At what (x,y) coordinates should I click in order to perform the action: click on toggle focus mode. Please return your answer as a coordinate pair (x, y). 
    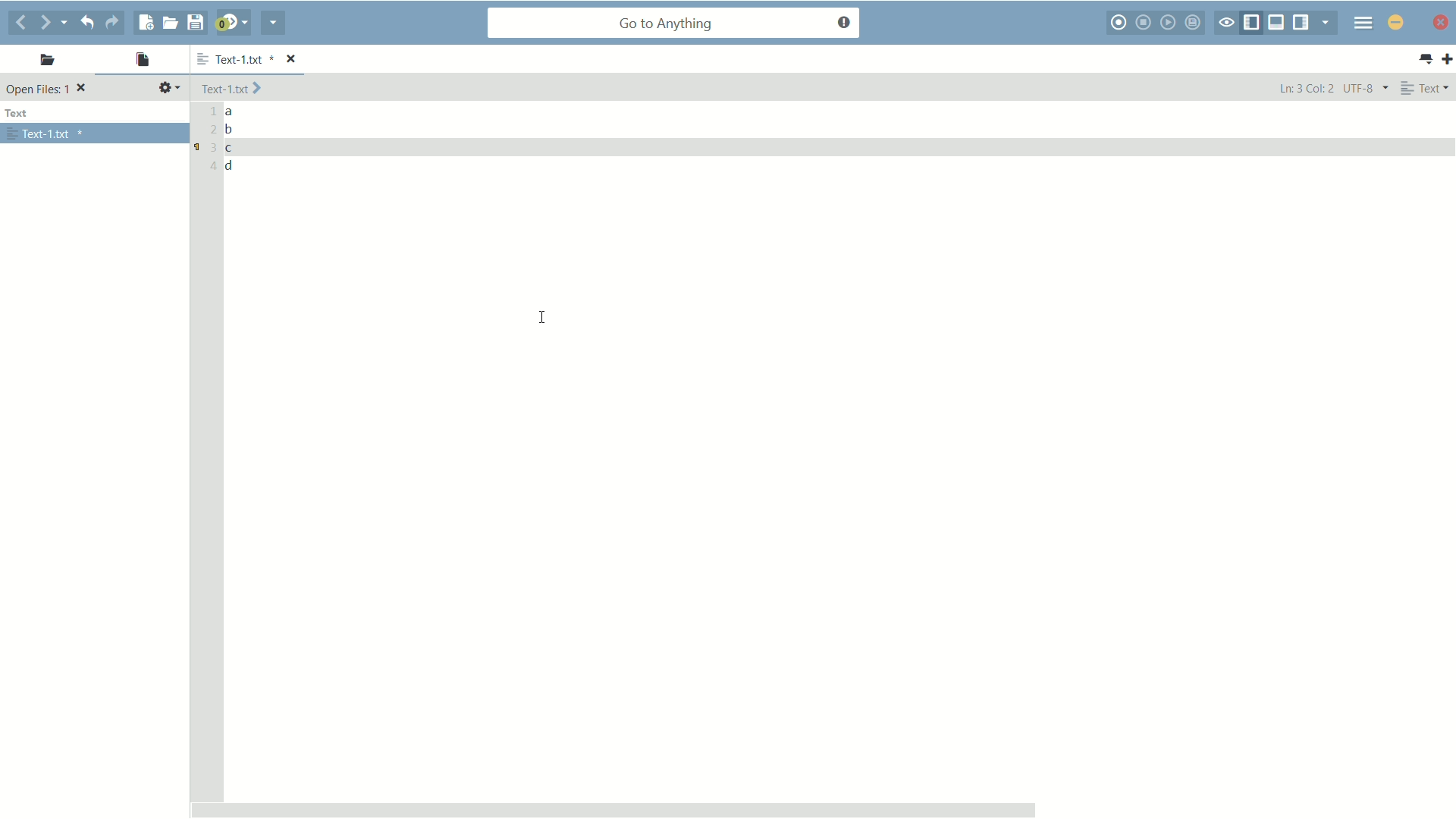
    Looking at the image, I should click on (1227, 24).